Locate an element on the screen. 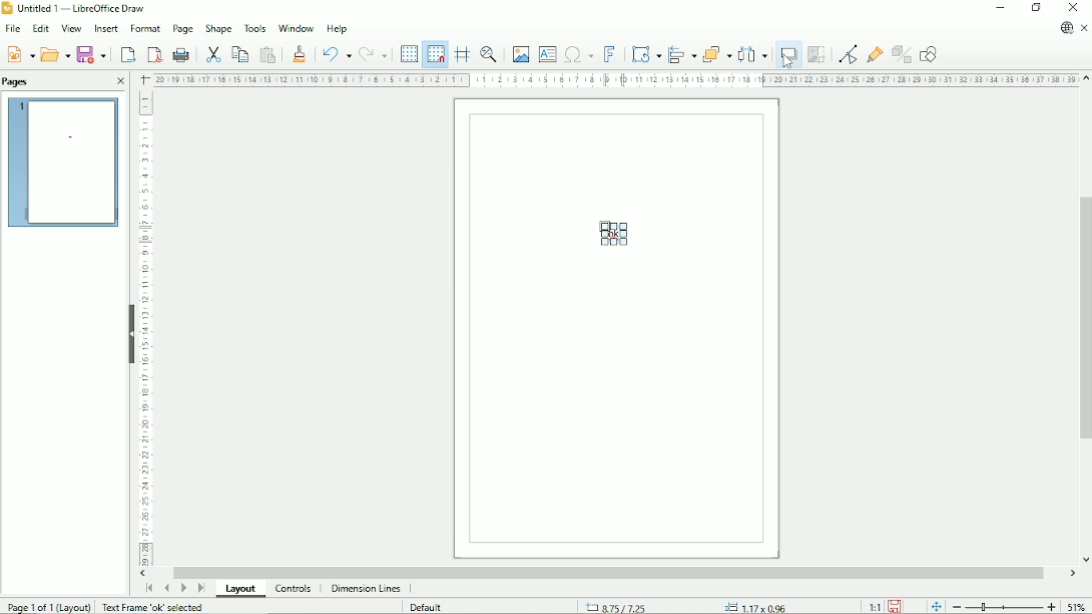 The width and height of the screenshot is (1092, 614). New is located at coordinates (20, 55).